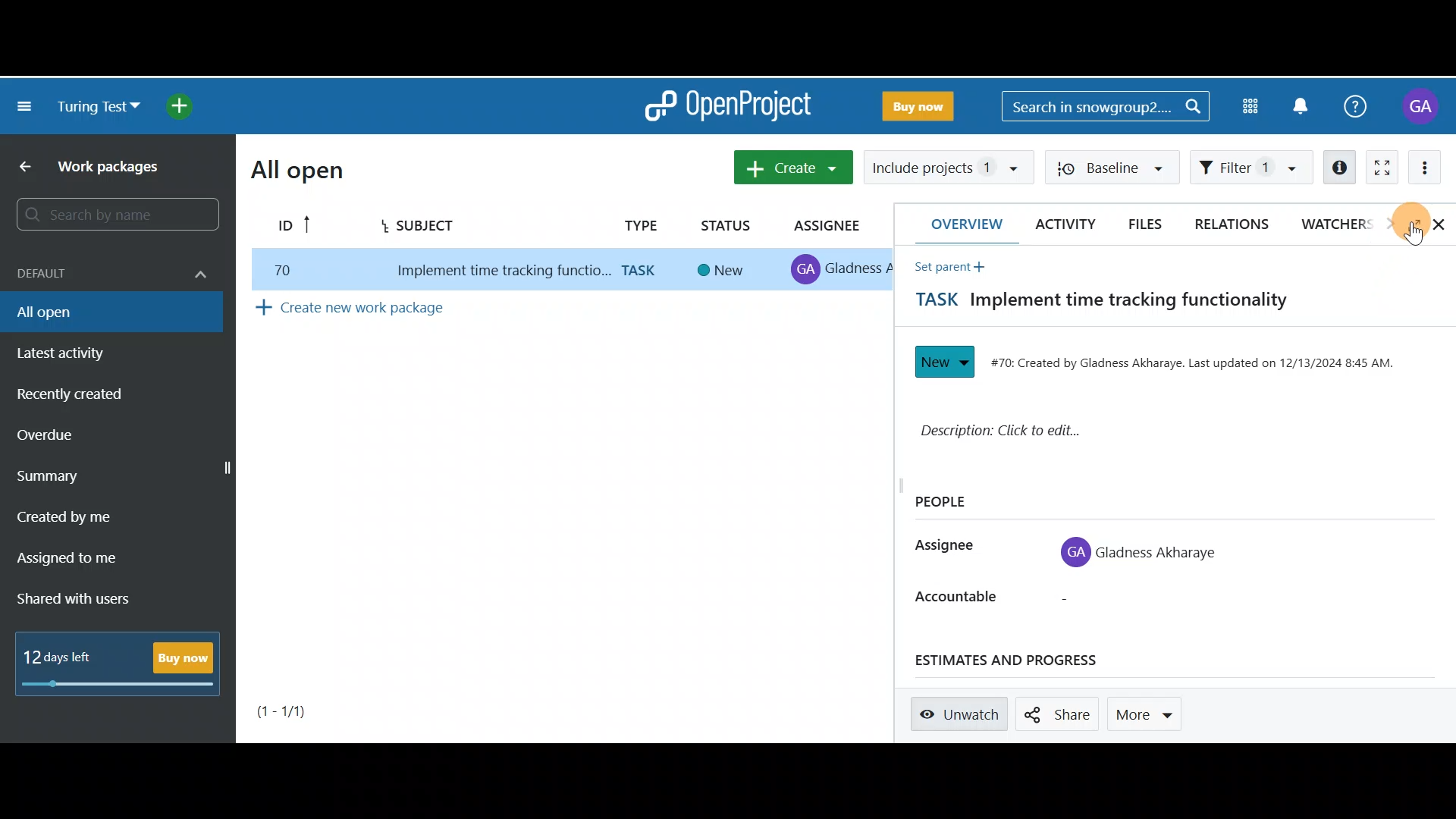 The image size is (1456, 819). What do you see at coordinates (123, 660) in the screenshot?
I see `12 days left - Buy Now` at bounding box center [123, 660].